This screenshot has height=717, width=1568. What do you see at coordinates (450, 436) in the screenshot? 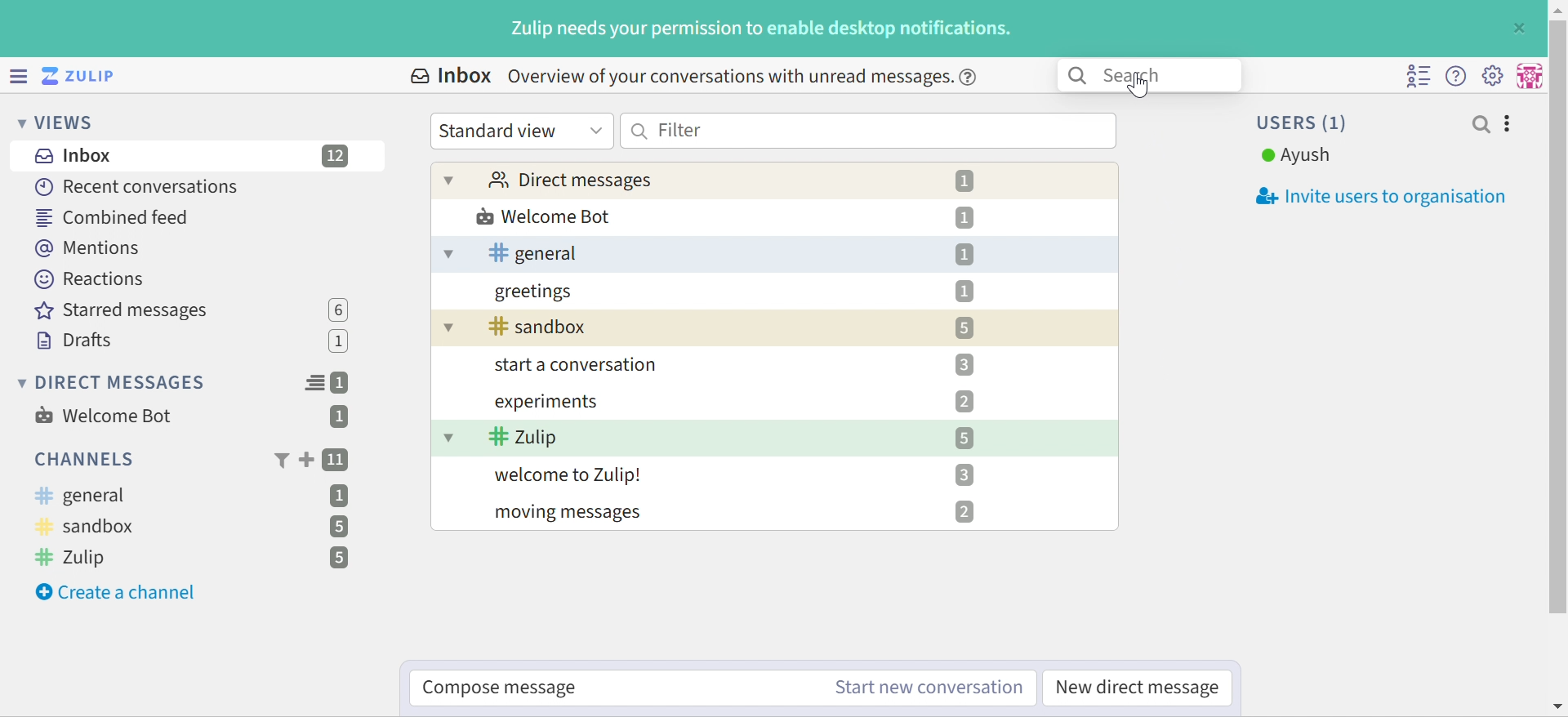
I see `Drop down` at bounding box center [450, 436].